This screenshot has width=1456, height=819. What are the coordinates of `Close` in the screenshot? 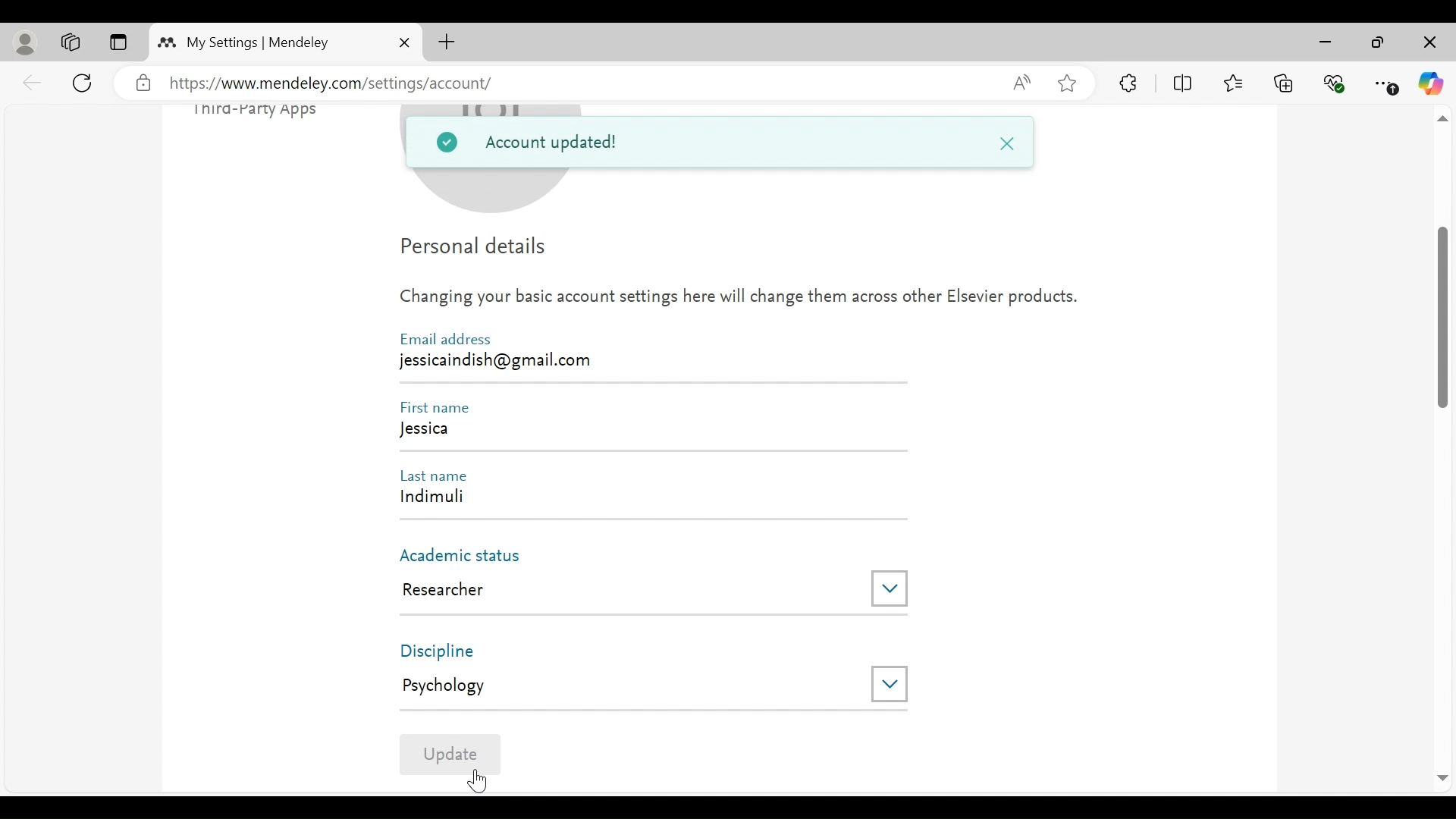 It's located at (1428, 43).